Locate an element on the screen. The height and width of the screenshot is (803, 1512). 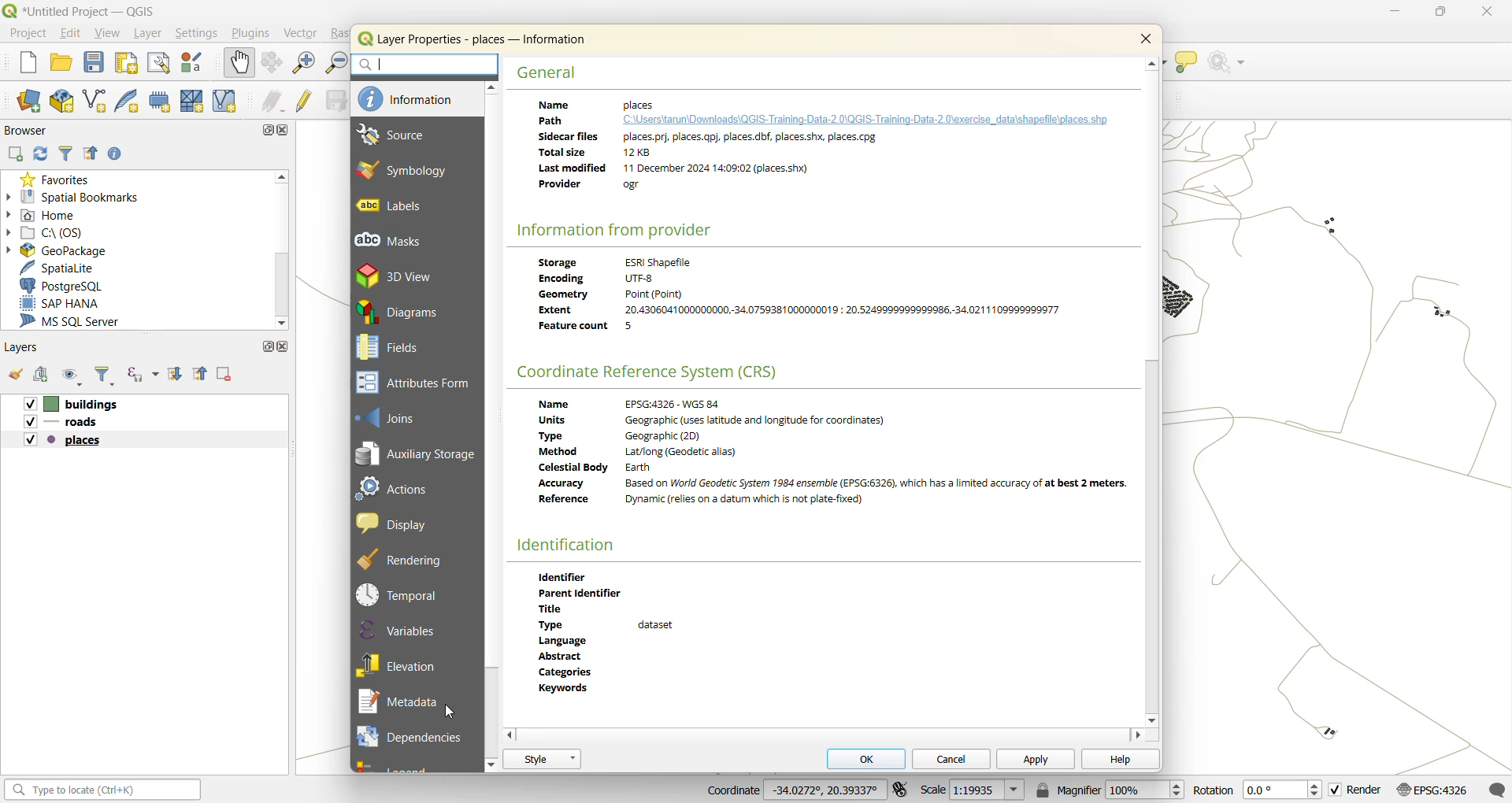
masks is located at coordinates (398, 242).